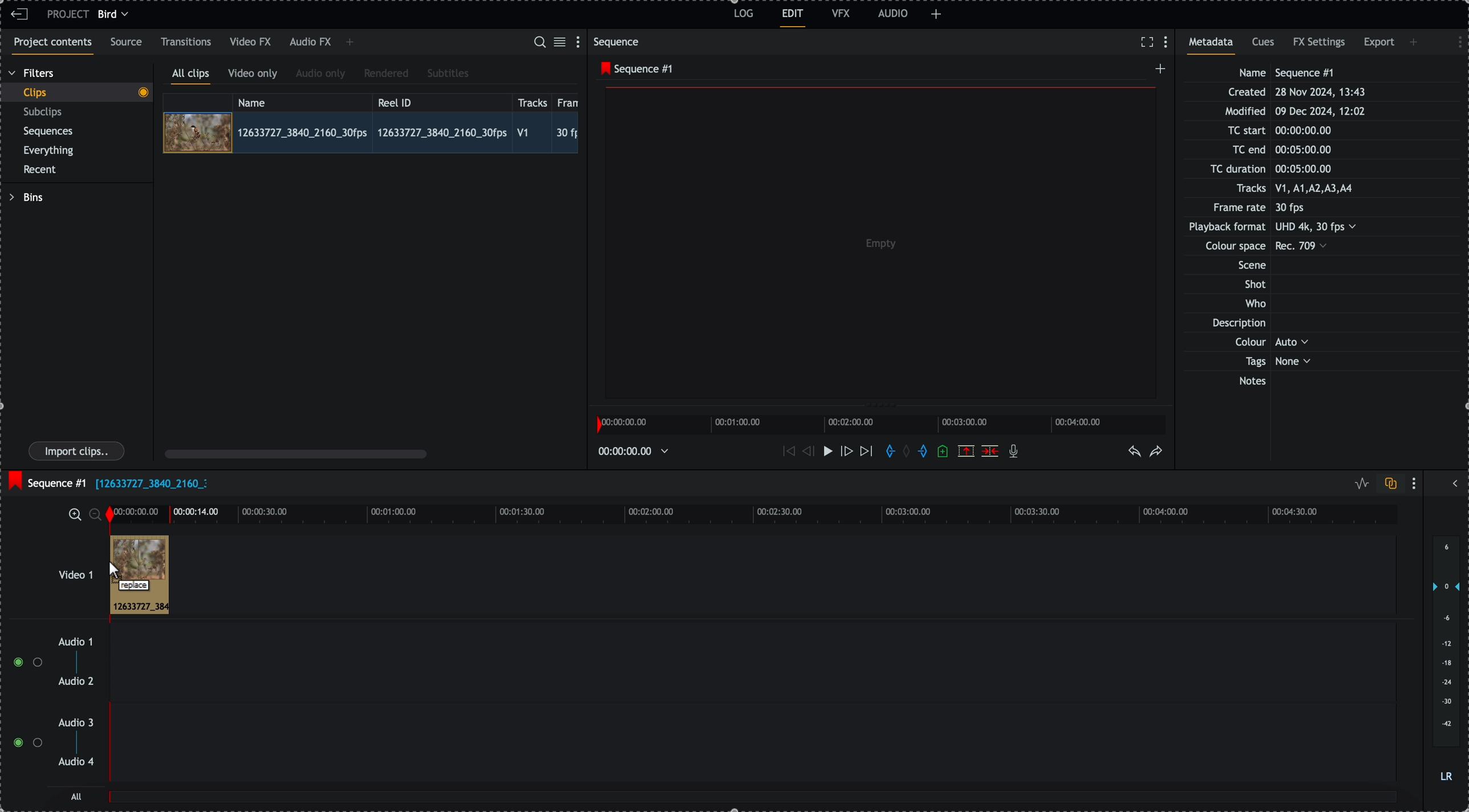  I want to click on fullscreen, so click(1147, 42).